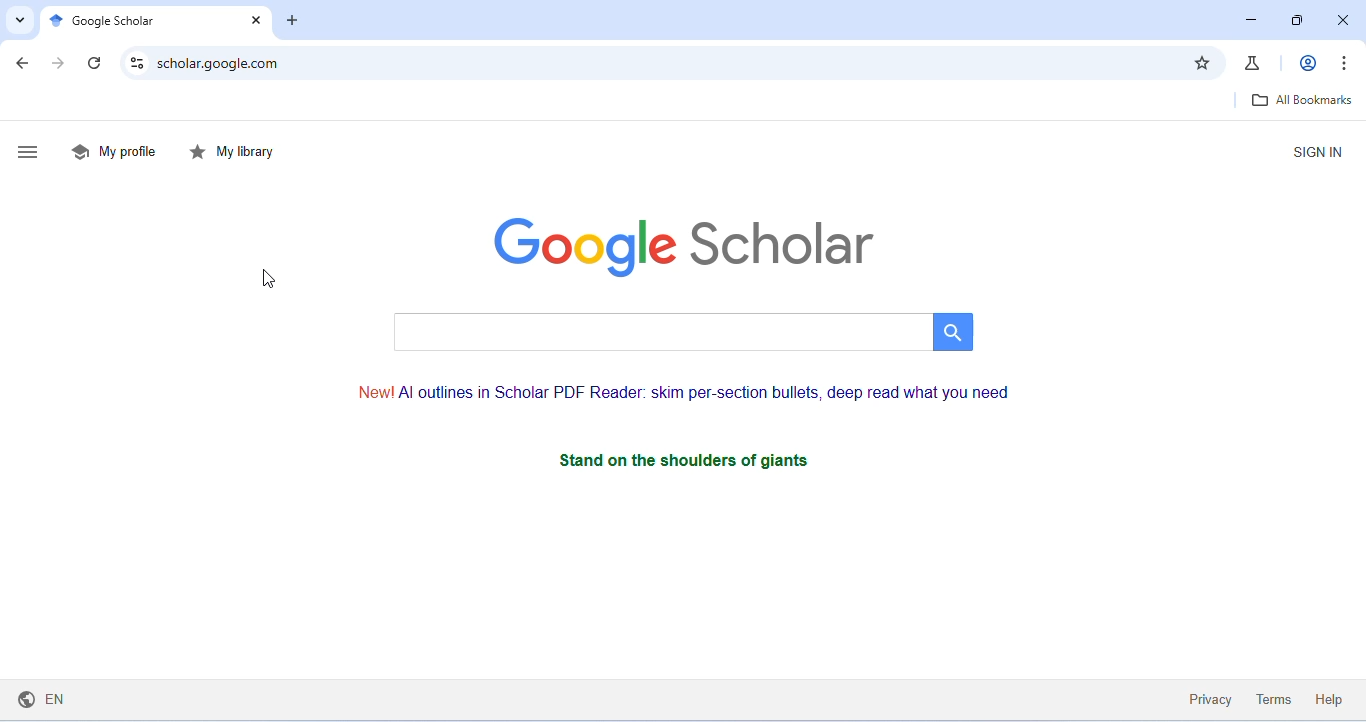 The image size is (1366, 722). Describe the element at coordinates (111, 20) in the screenshot. I see `google scholar` at that location.